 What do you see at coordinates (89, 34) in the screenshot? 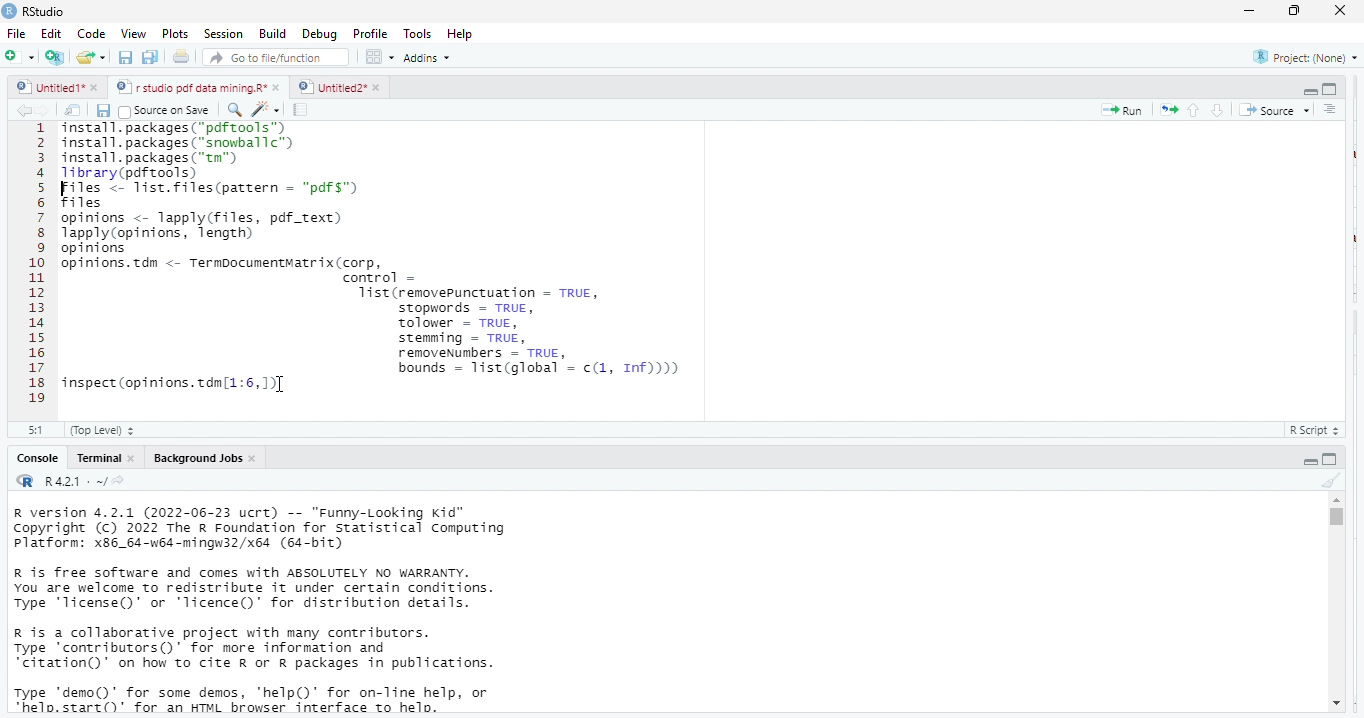
I see `code` at bounding box center [89, 34].